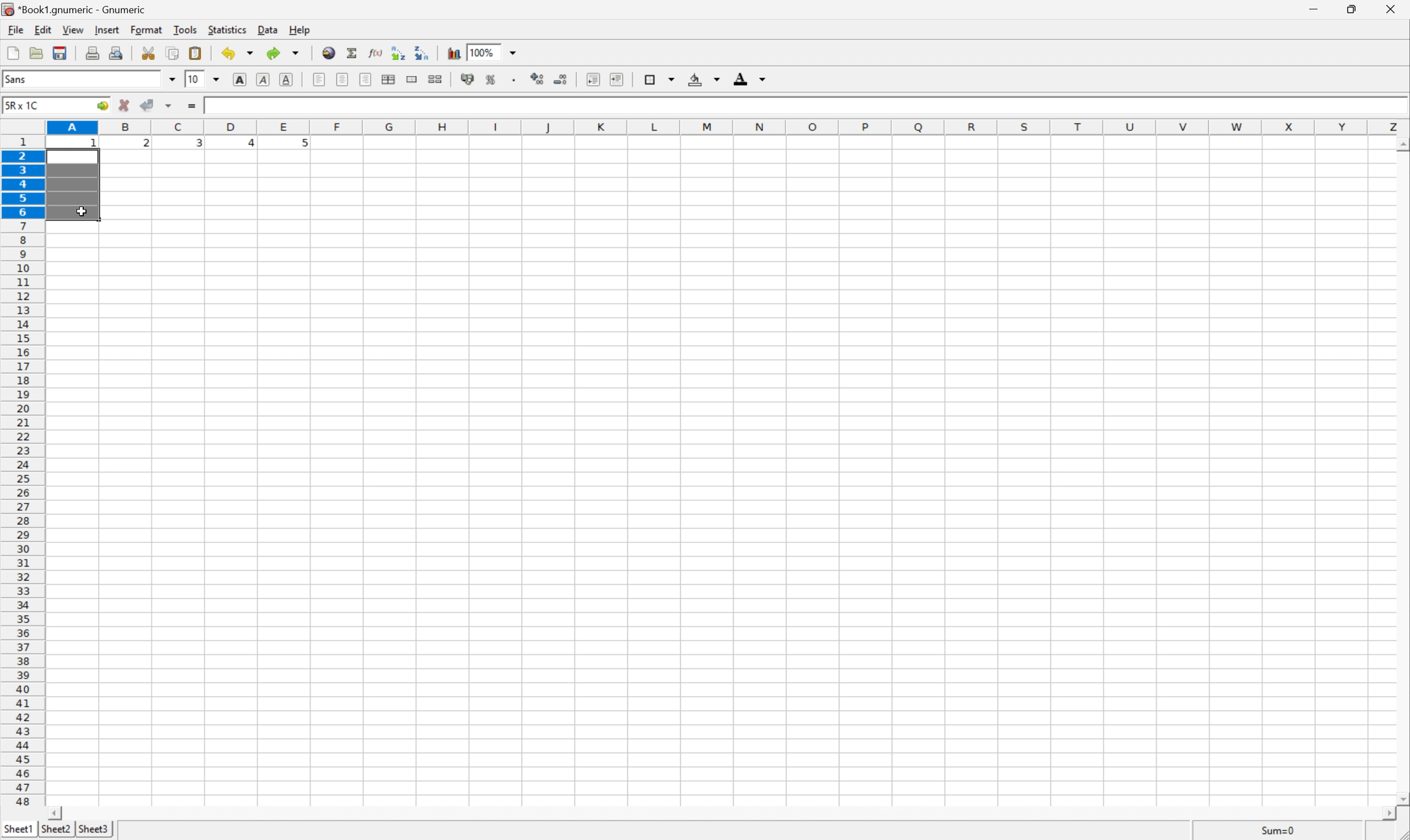  I want to click on format, so click(144, 30).